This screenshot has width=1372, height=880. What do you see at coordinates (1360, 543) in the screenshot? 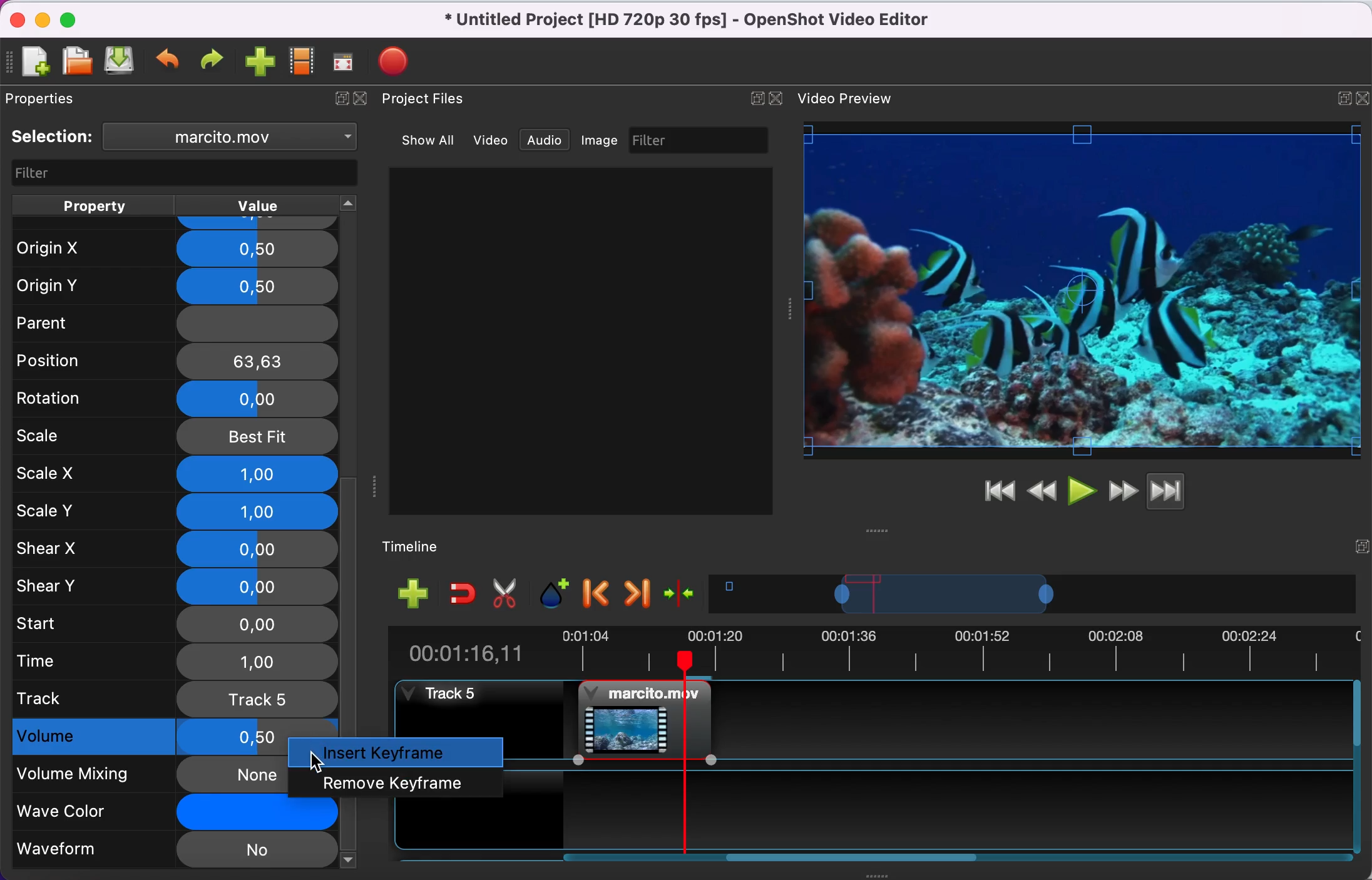
I see `expand/hide` at bounding box center [1360, 543].